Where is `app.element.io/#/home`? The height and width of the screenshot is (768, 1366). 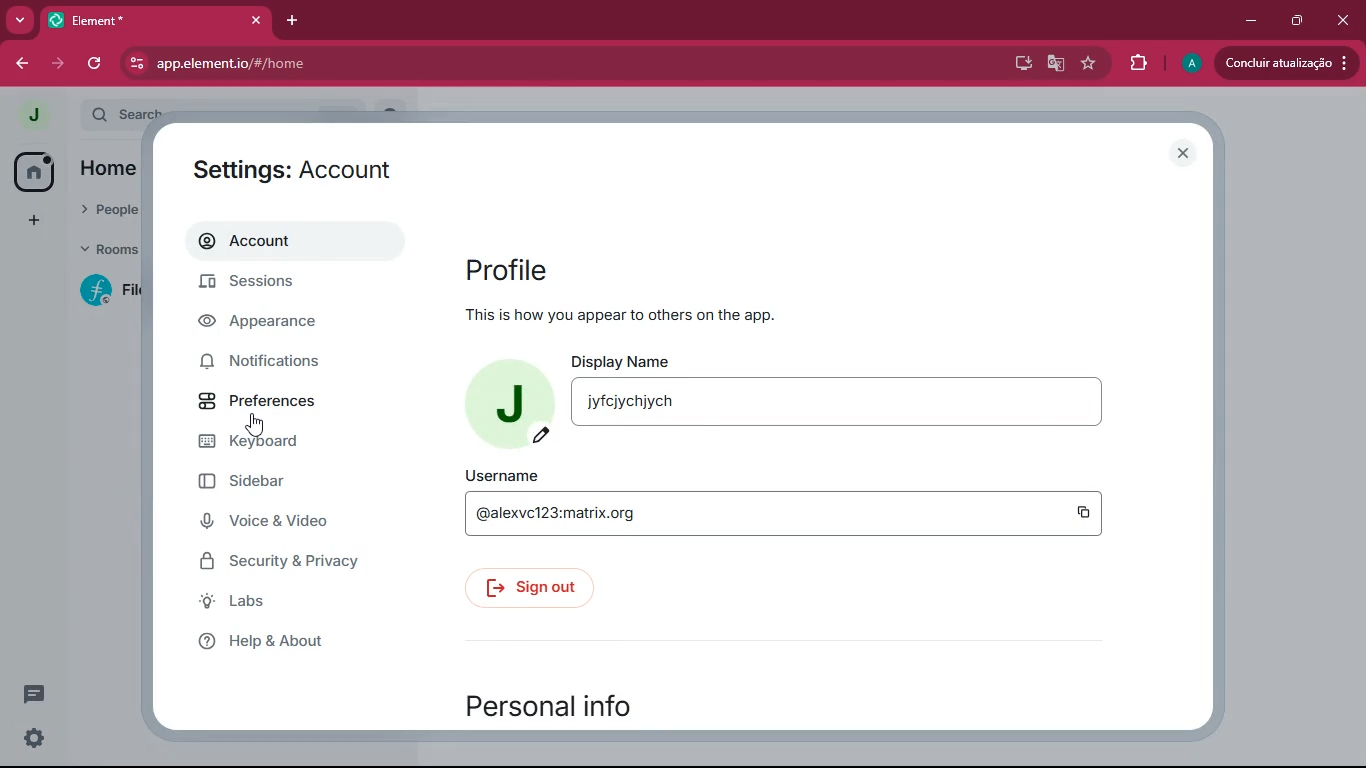
app.element.io/#/home is located at coordinates (328, 64).